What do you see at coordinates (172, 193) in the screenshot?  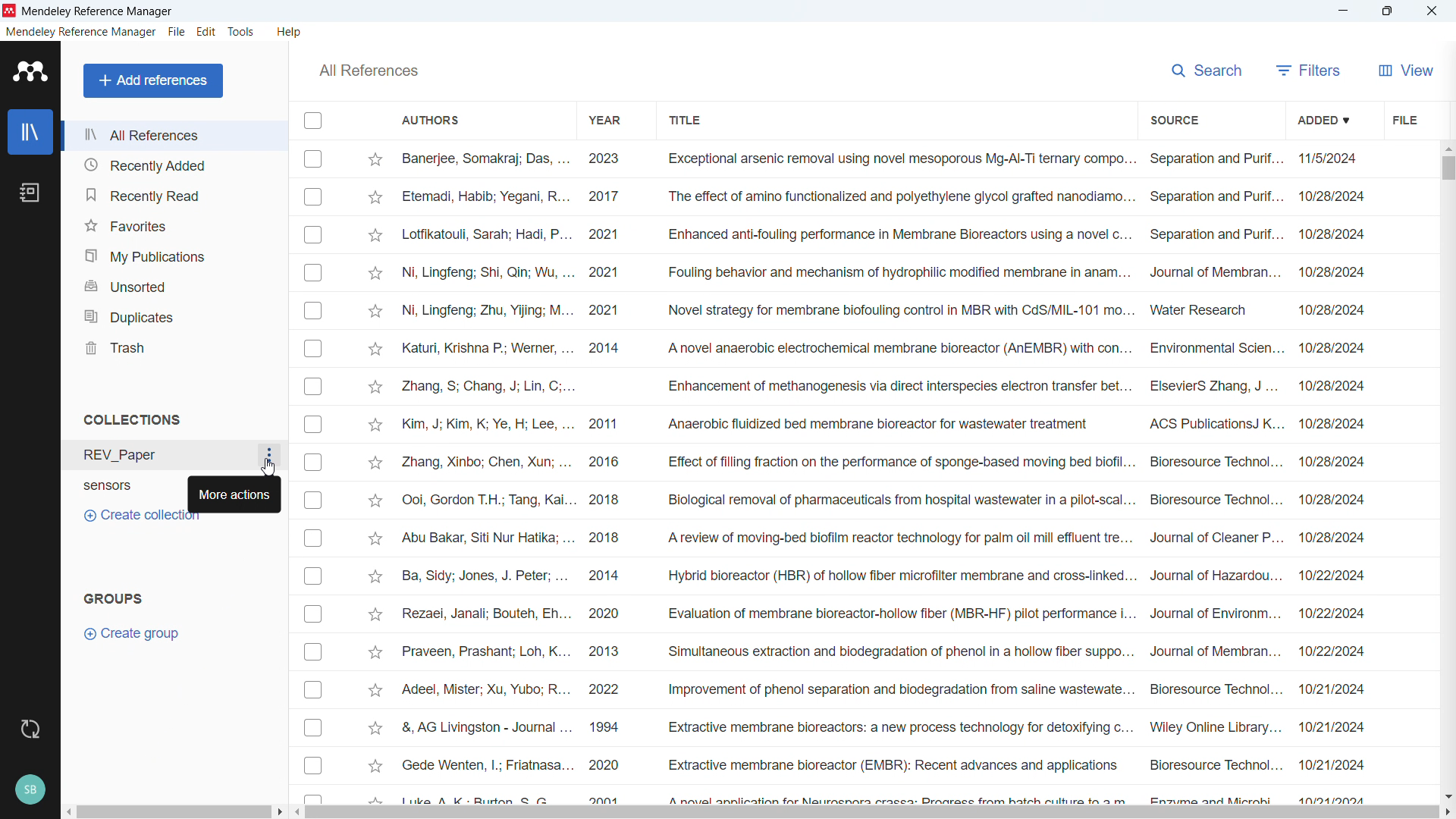 I see `Recently read ` at bounding box center [172, 193].